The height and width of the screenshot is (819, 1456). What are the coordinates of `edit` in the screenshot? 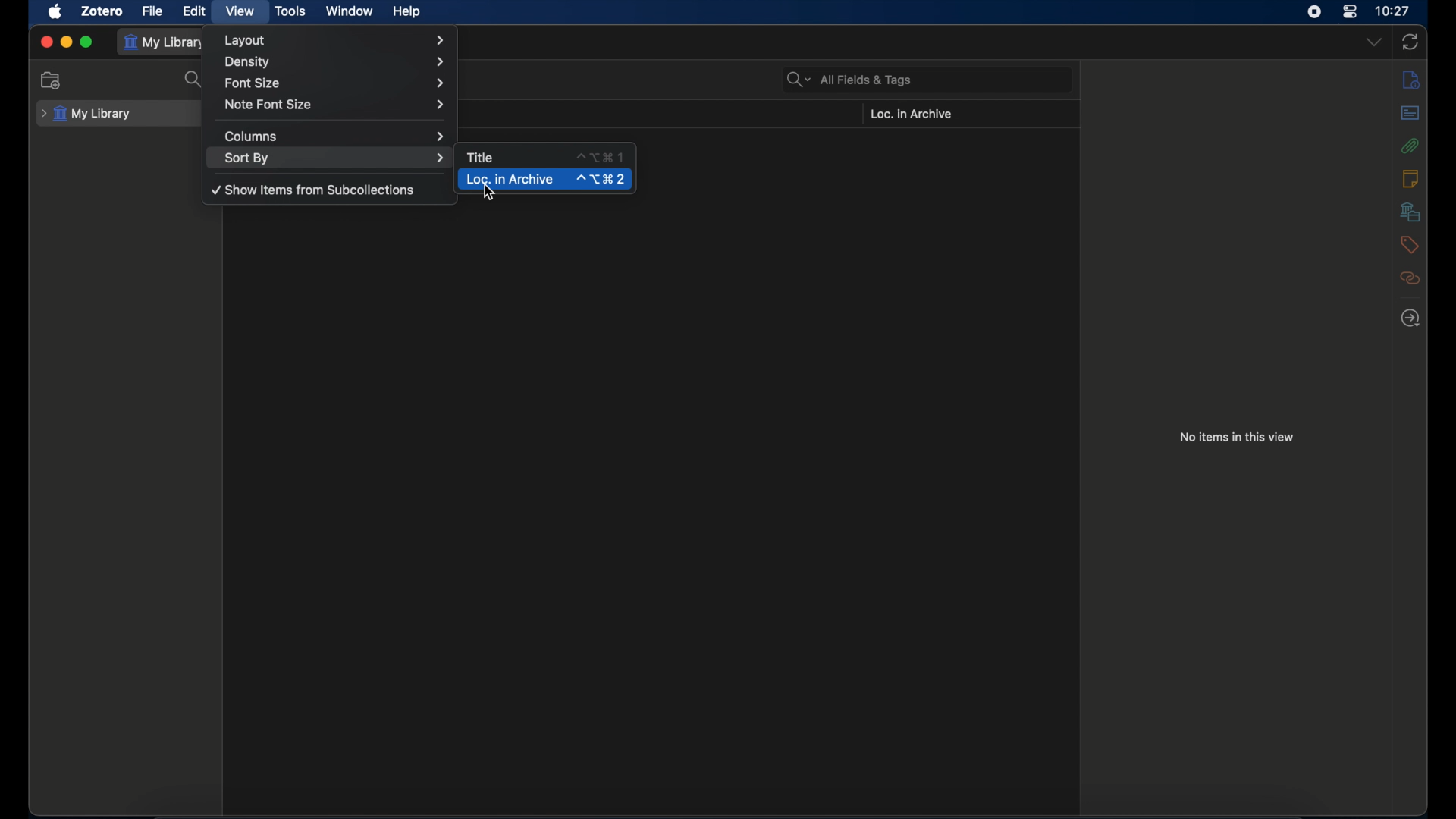 It's located at (196, 11).